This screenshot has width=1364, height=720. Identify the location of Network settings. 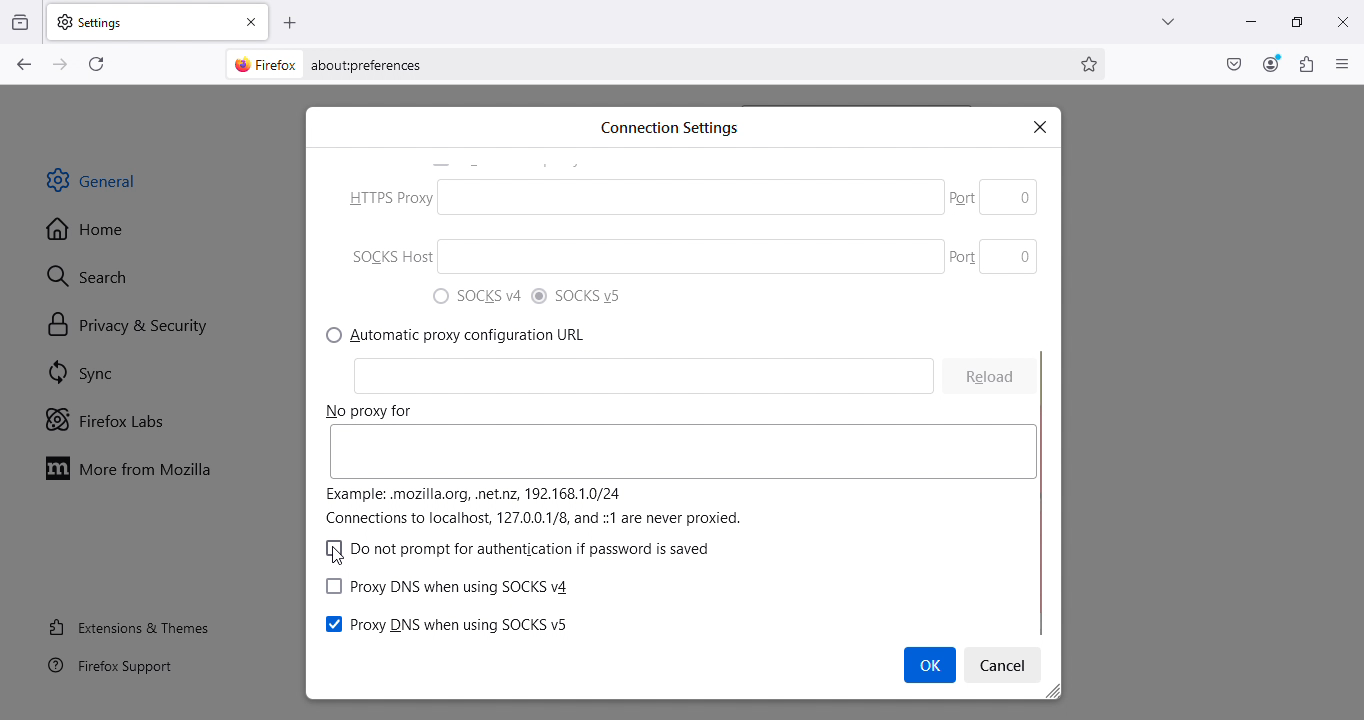
(455, 586).